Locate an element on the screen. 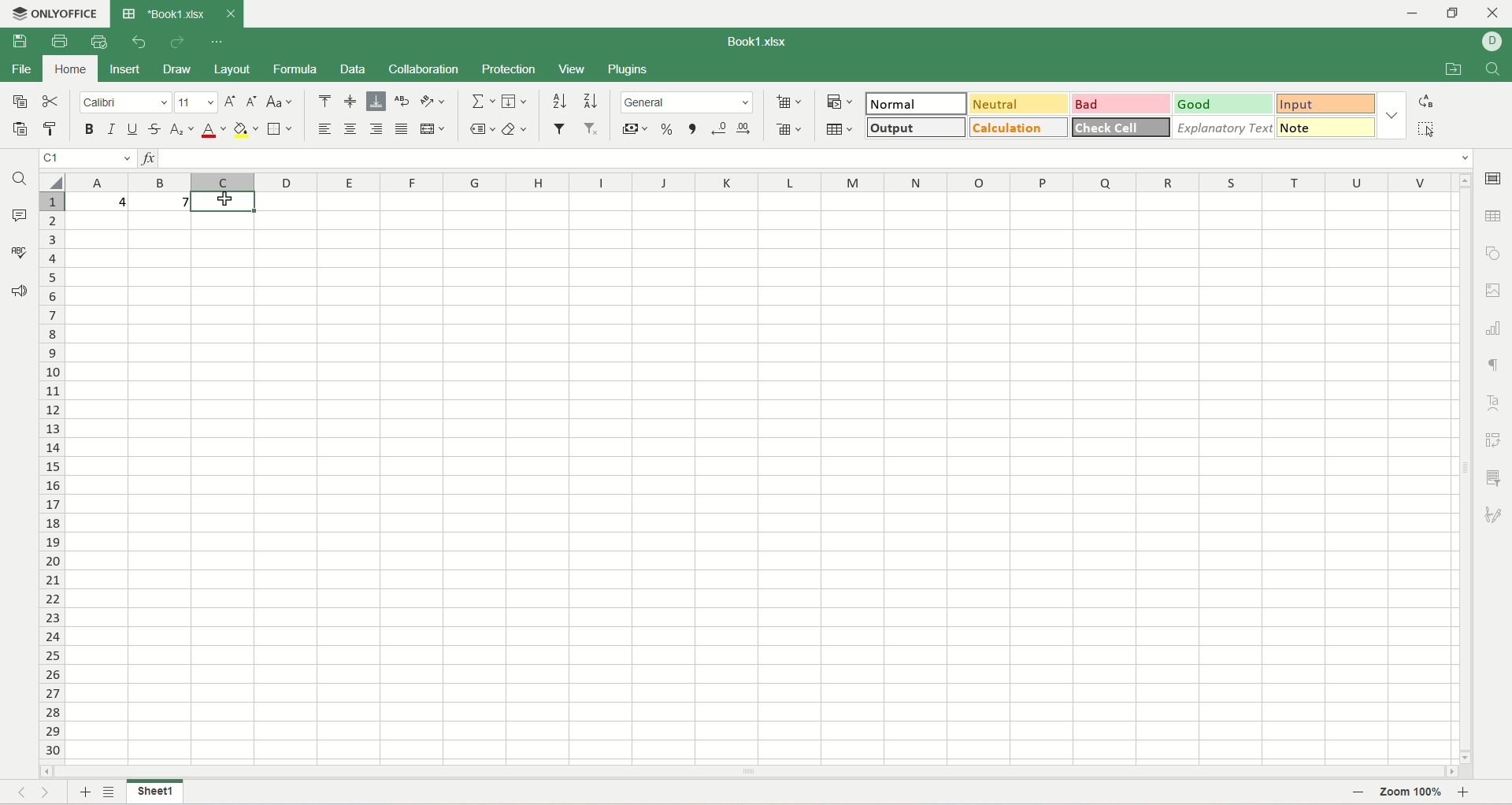 This screenshot has height=805, width=1512. background color is located at coordinates (246, 128).